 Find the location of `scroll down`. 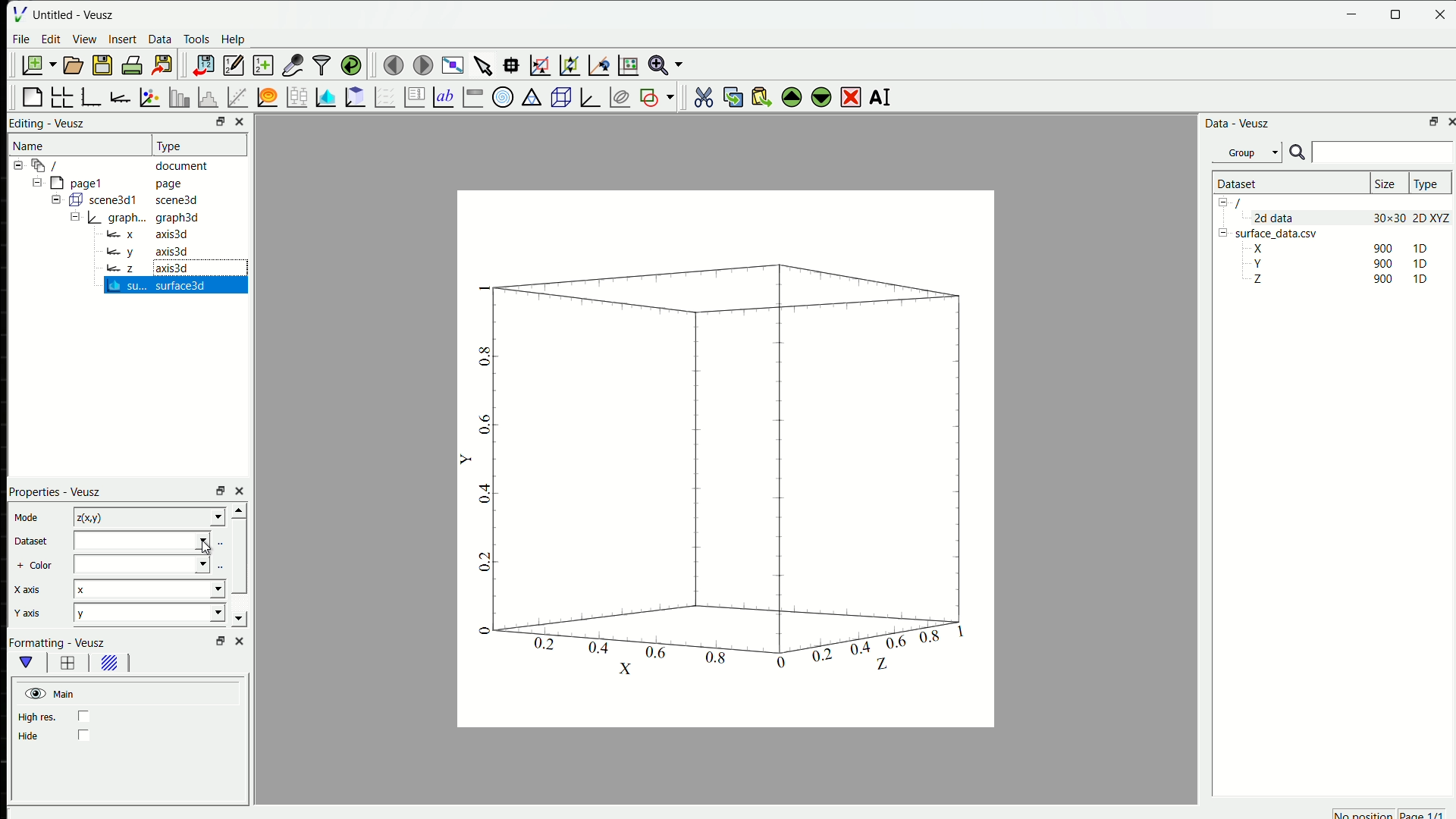

scroll down is located at coordinates (240, 619).